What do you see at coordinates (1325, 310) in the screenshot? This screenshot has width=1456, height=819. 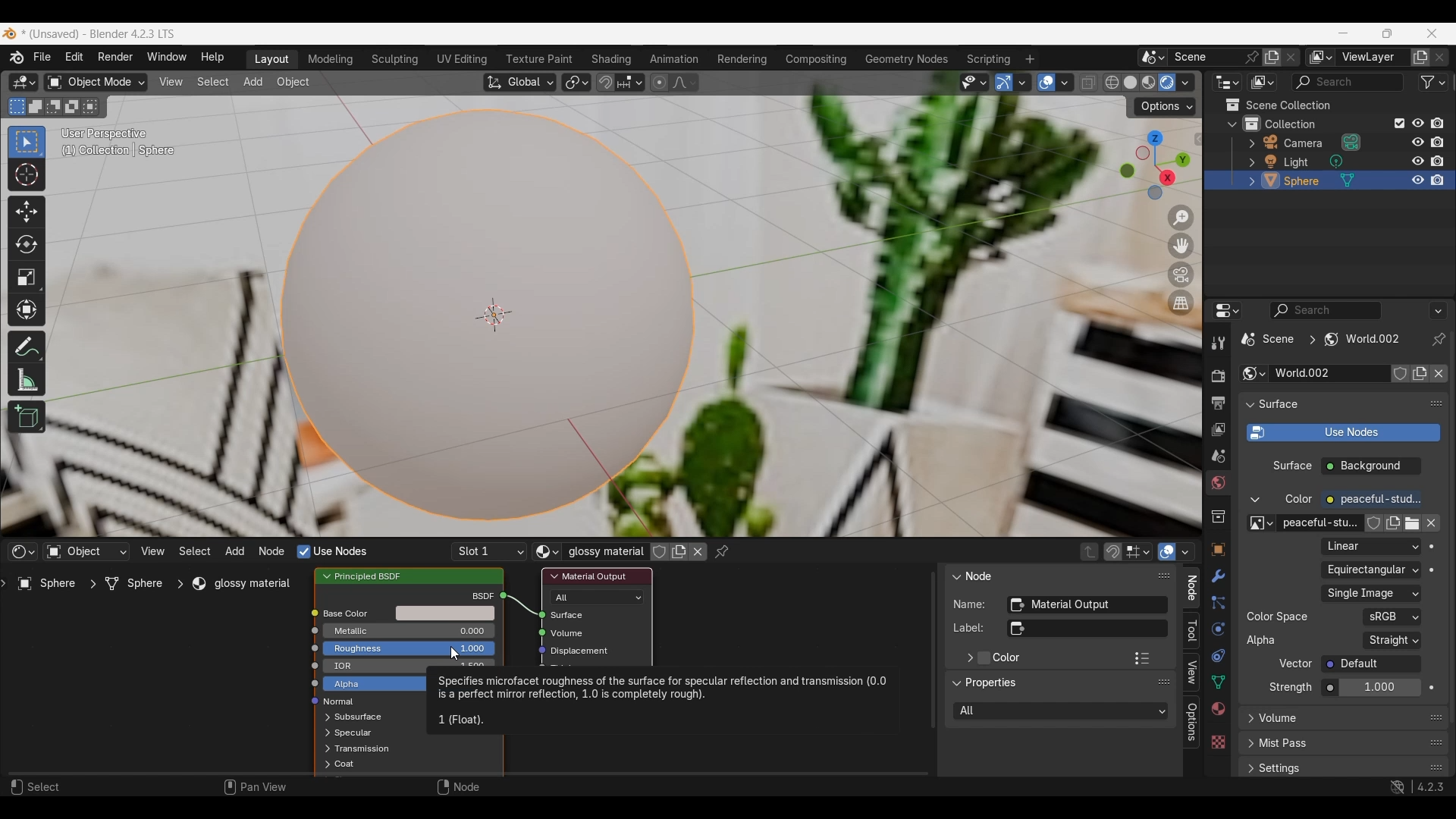 I see `Display filter` at bounding box center [1325, 310].